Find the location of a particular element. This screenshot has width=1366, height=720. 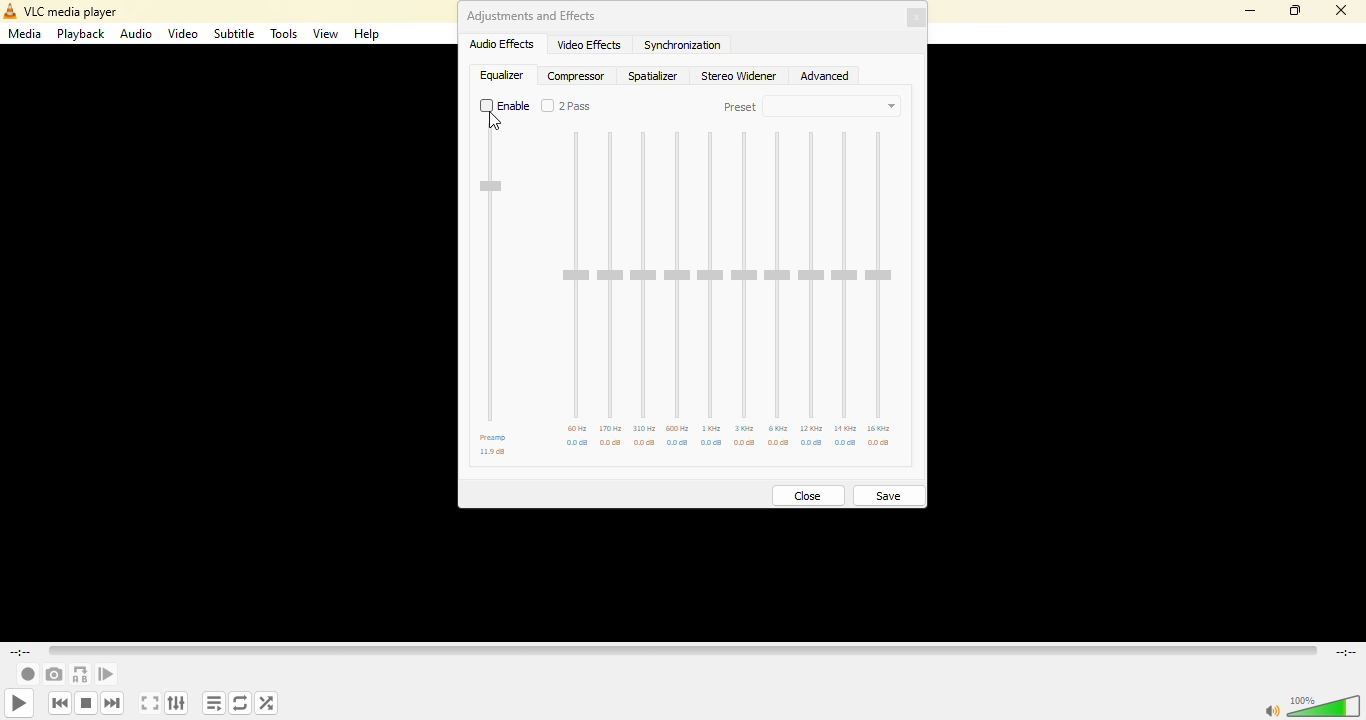

advanced is located at coordinates (829, 77).